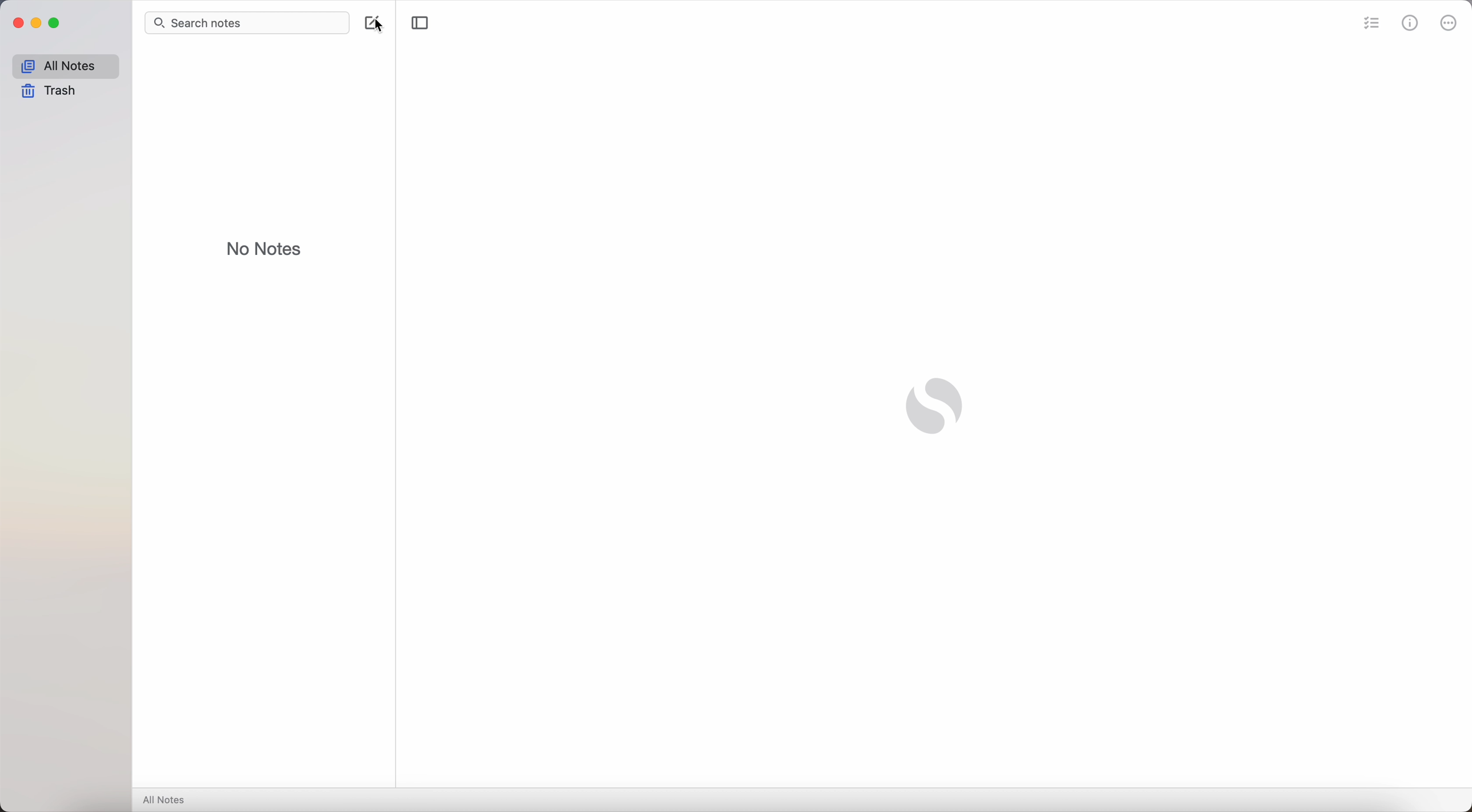  Describe the element at coordinates (166, 800) in the screenshot. I see `all notes` at that location.